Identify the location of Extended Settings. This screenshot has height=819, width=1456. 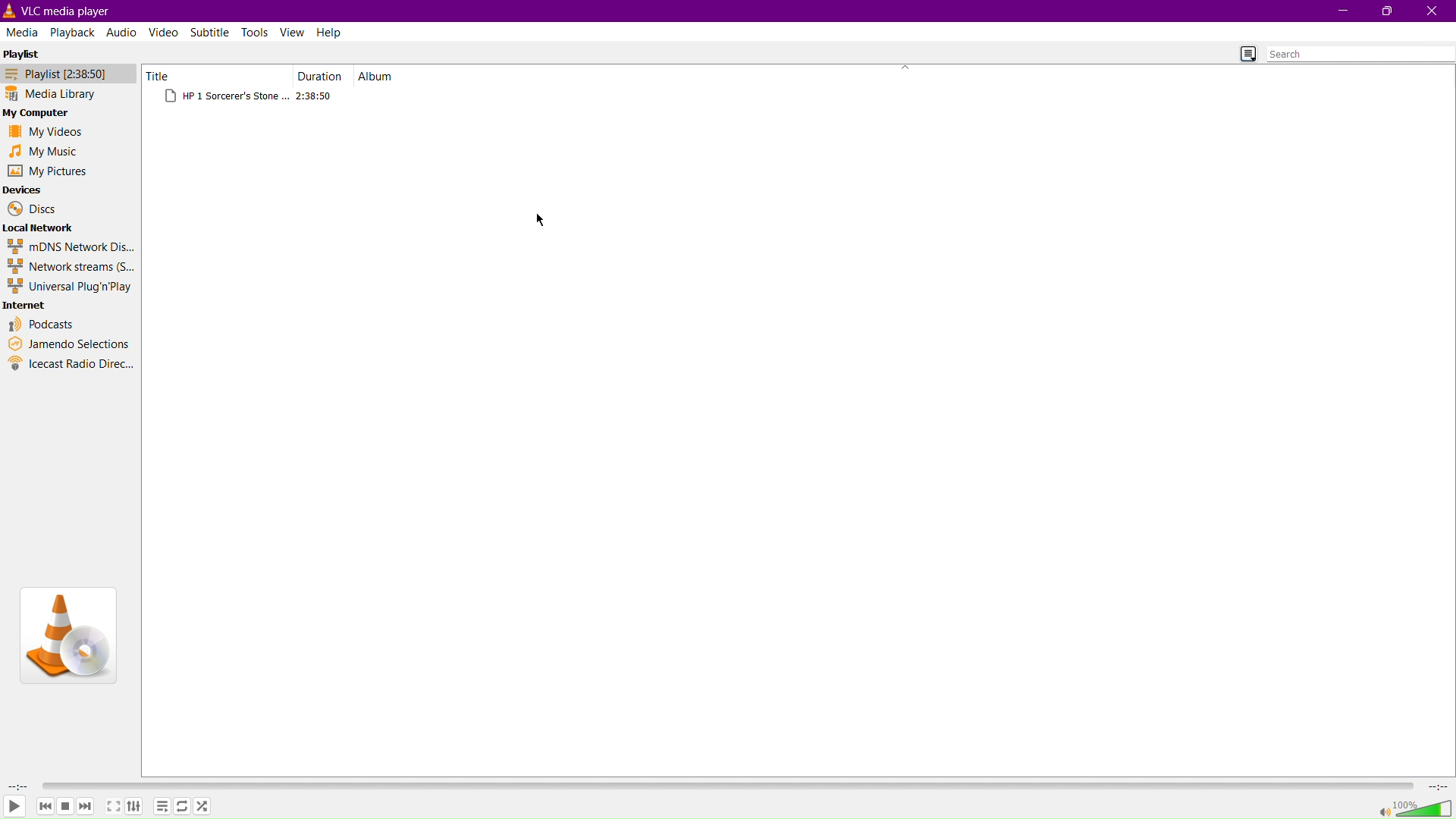
(138, 808).